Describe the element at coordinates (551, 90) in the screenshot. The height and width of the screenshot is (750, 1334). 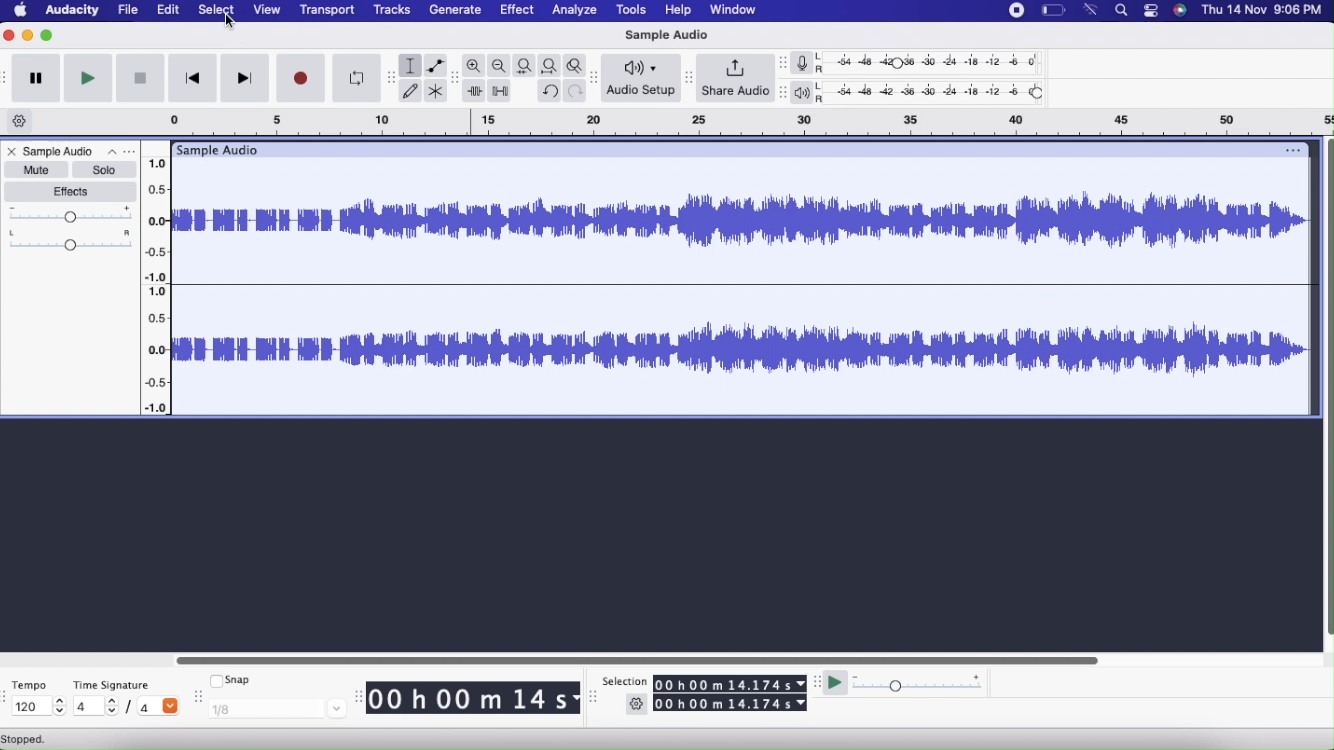
I see `Undo` at that location.